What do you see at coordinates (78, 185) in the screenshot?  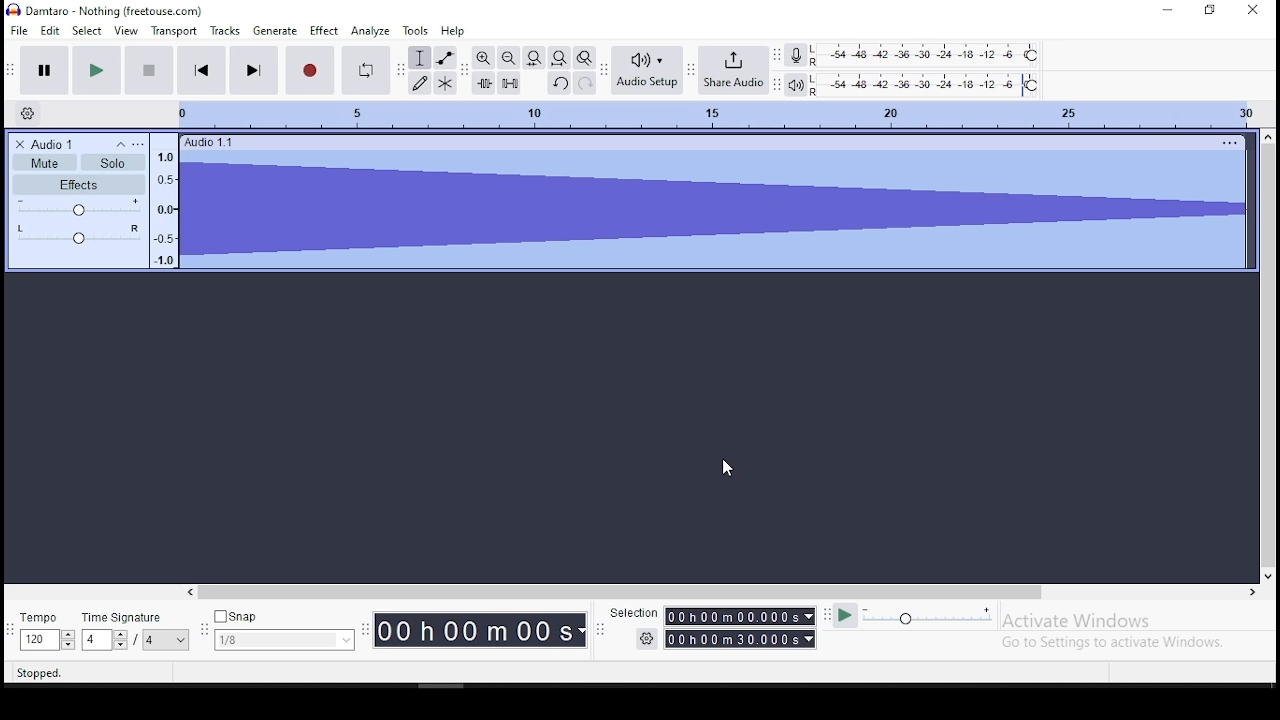 I see `effects` at bounding box center [78, 185].